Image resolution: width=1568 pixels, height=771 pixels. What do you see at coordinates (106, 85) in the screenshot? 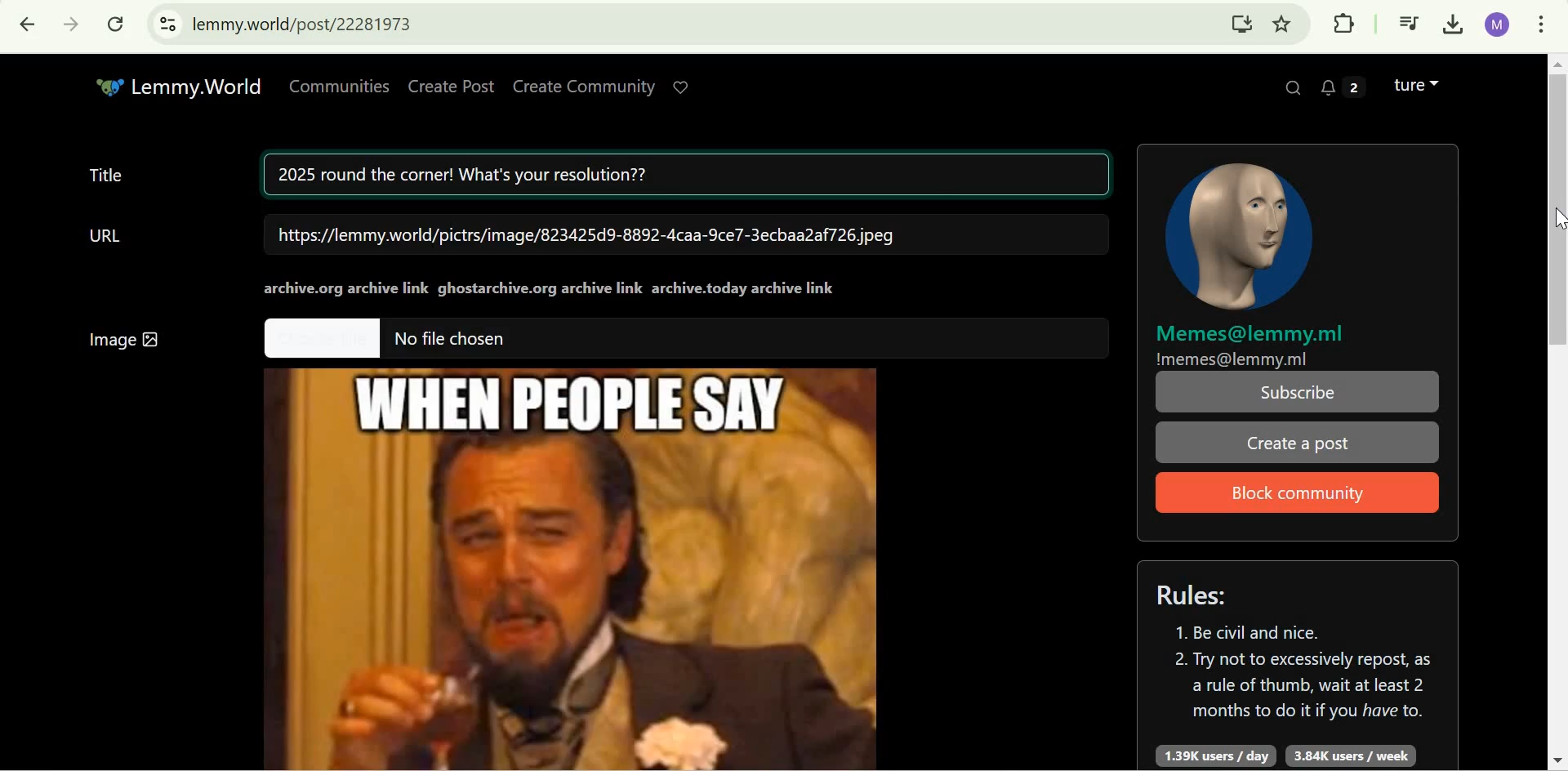
I see `` at bounding box center [106, 85].